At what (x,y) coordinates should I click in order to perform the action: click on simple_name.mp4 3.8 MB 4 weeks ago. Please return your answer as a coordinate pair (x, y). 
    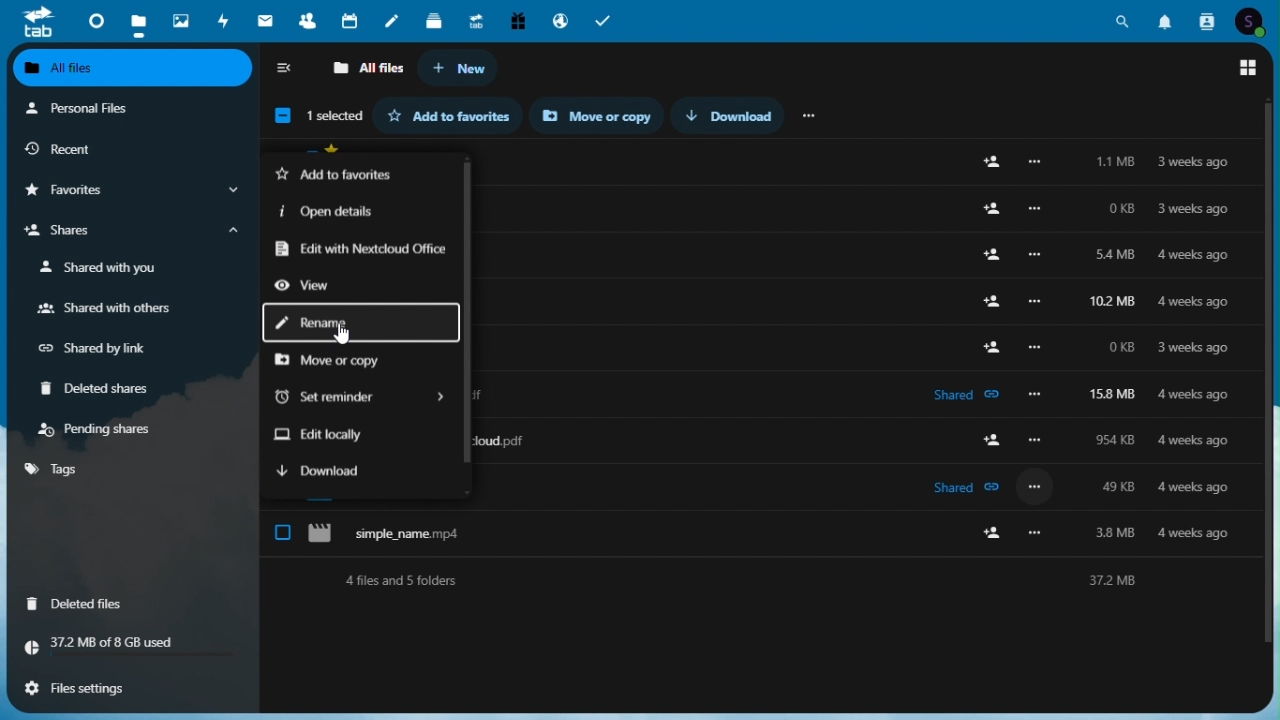
    Looking at the image, I should click on (763, 524).